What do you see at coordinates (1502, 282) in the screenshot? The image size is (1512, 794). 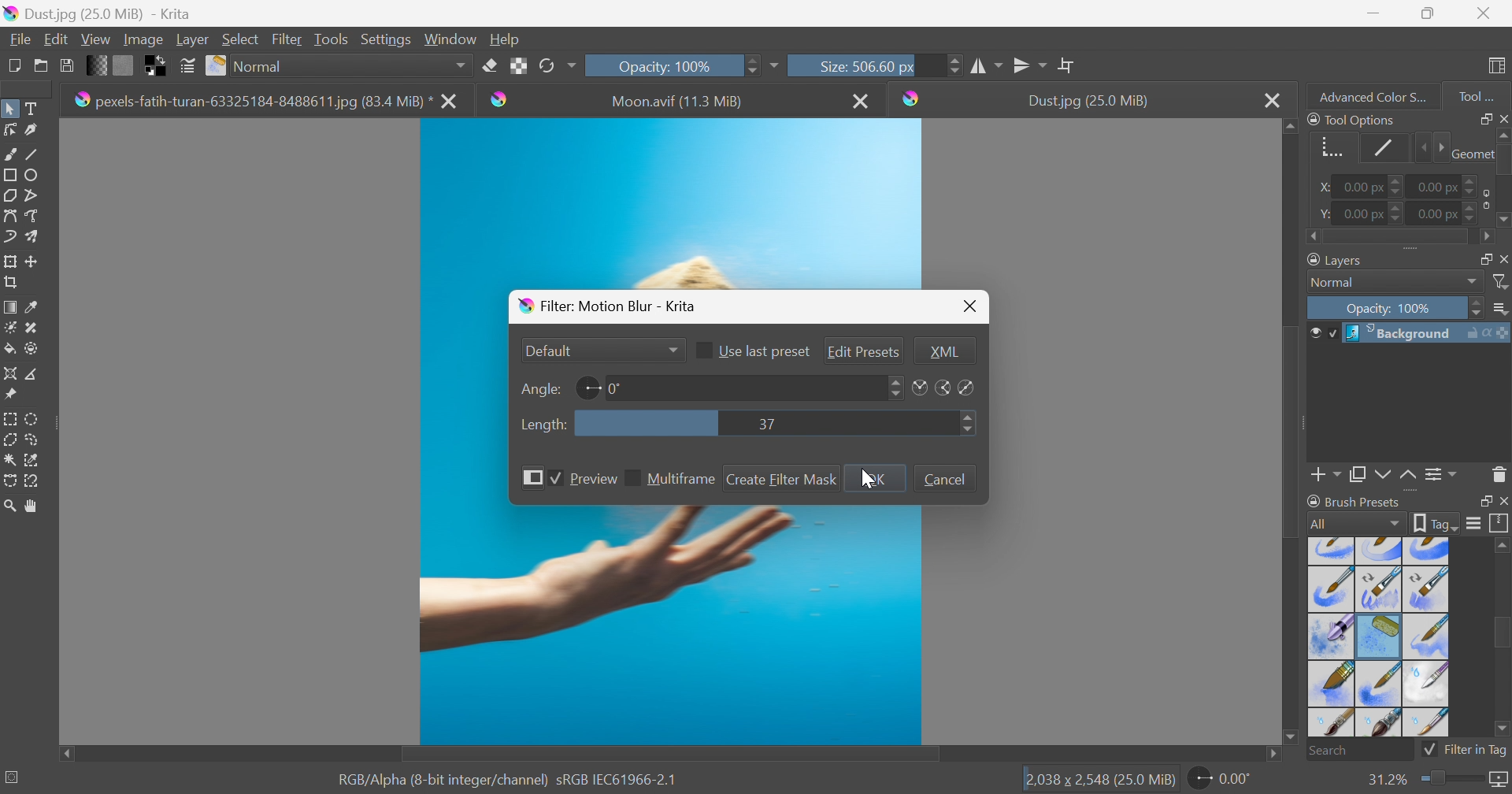 I see `Filter` at bounding box center [1502, 282].